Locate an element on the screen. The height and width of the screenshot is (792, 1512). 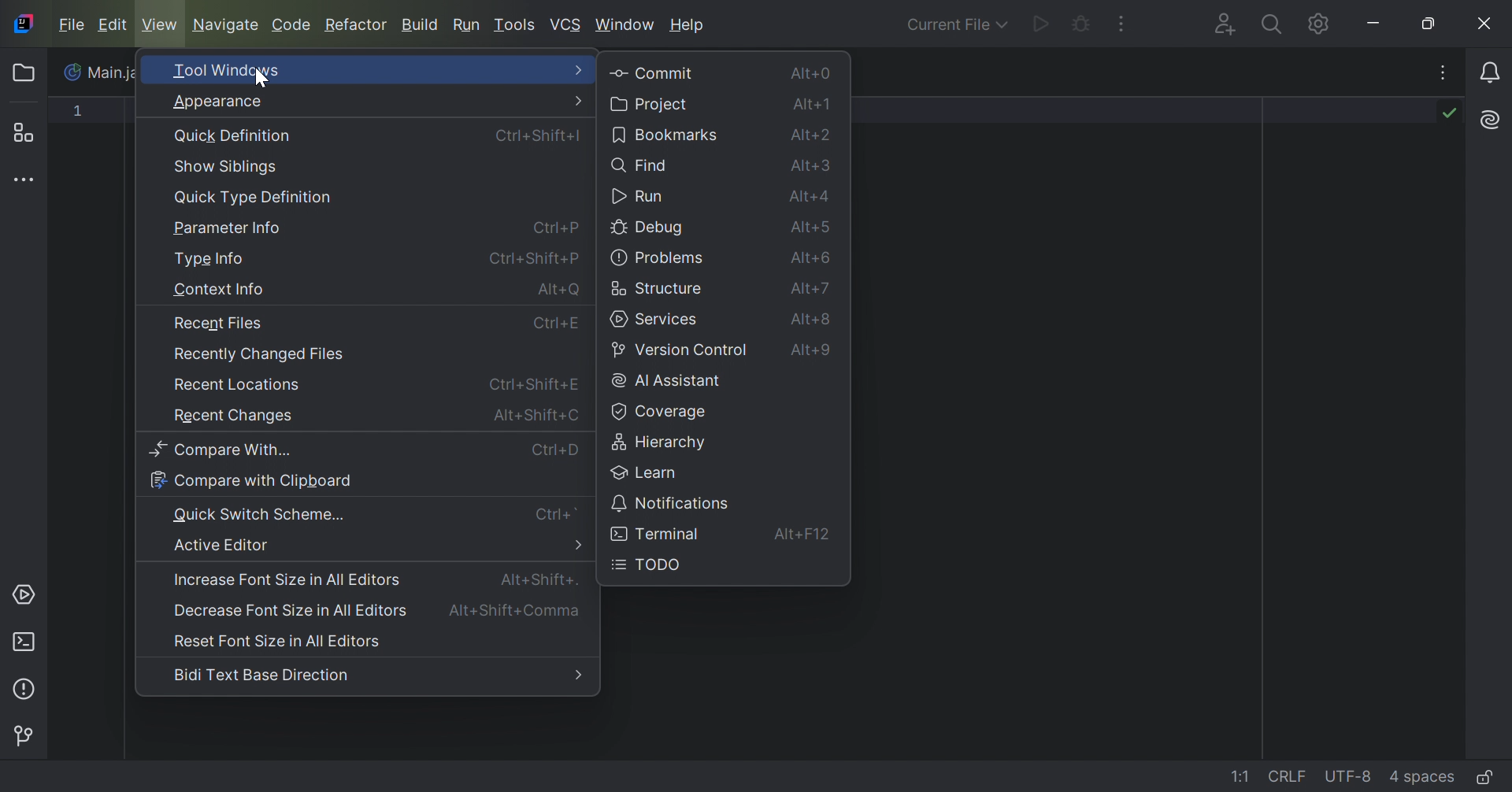
4 spaces is located at coordinates (1421, 775).